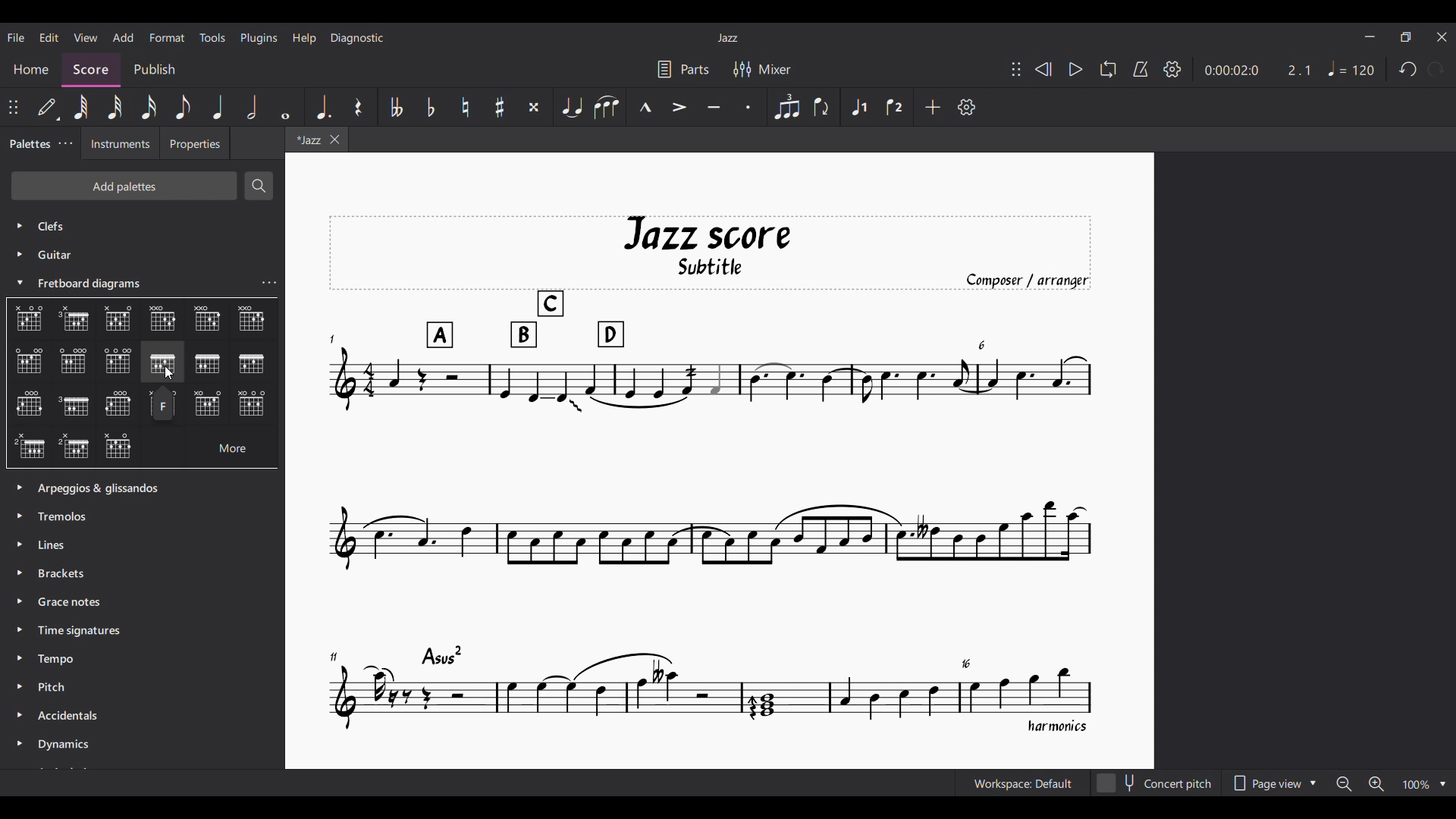  What do you see at coordinates (74, 405) in the screenshot?
I see `Chart 13` at bounding box center [74, 405].